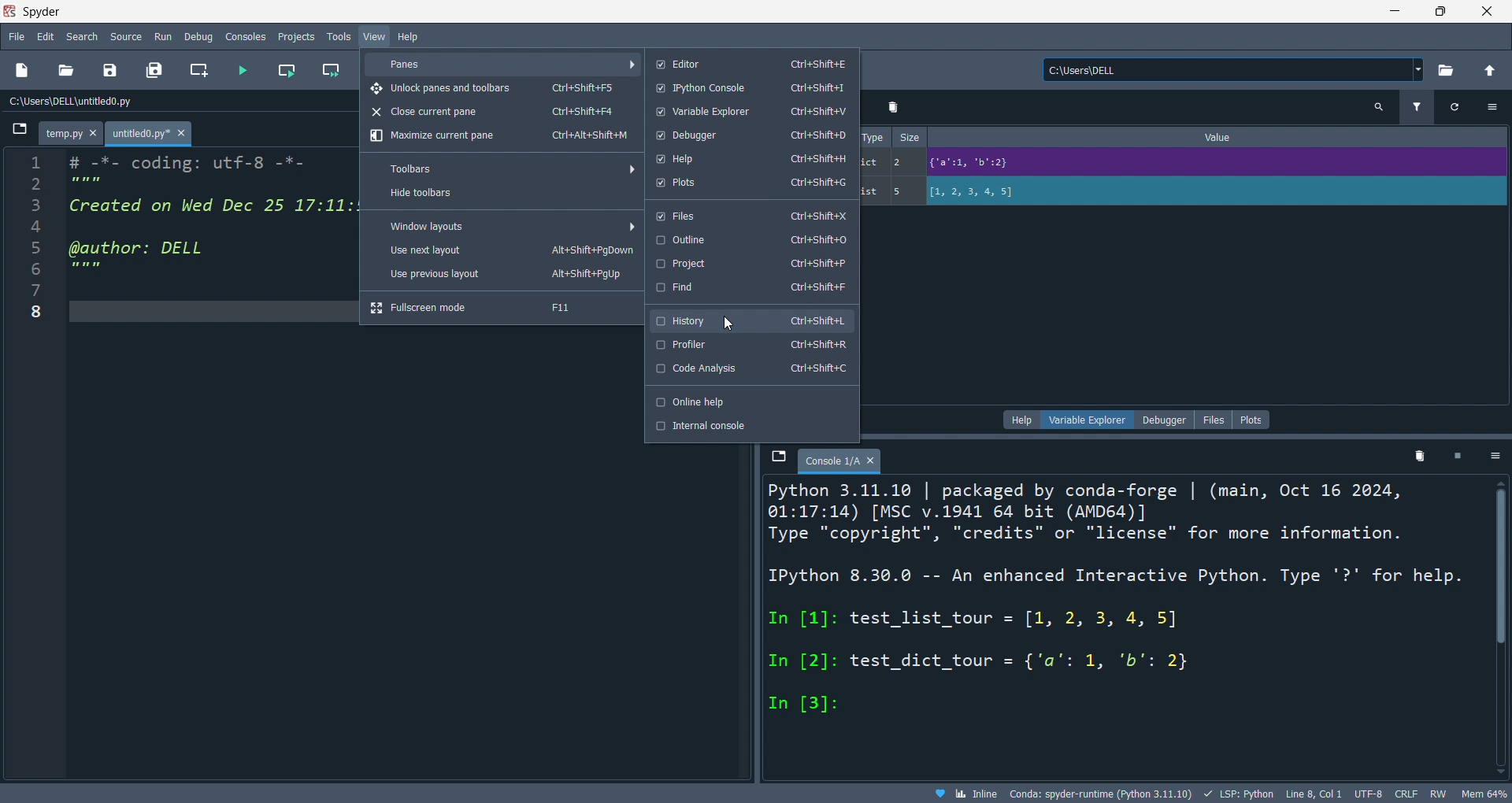  I want to click on inline, so click(965, 794).